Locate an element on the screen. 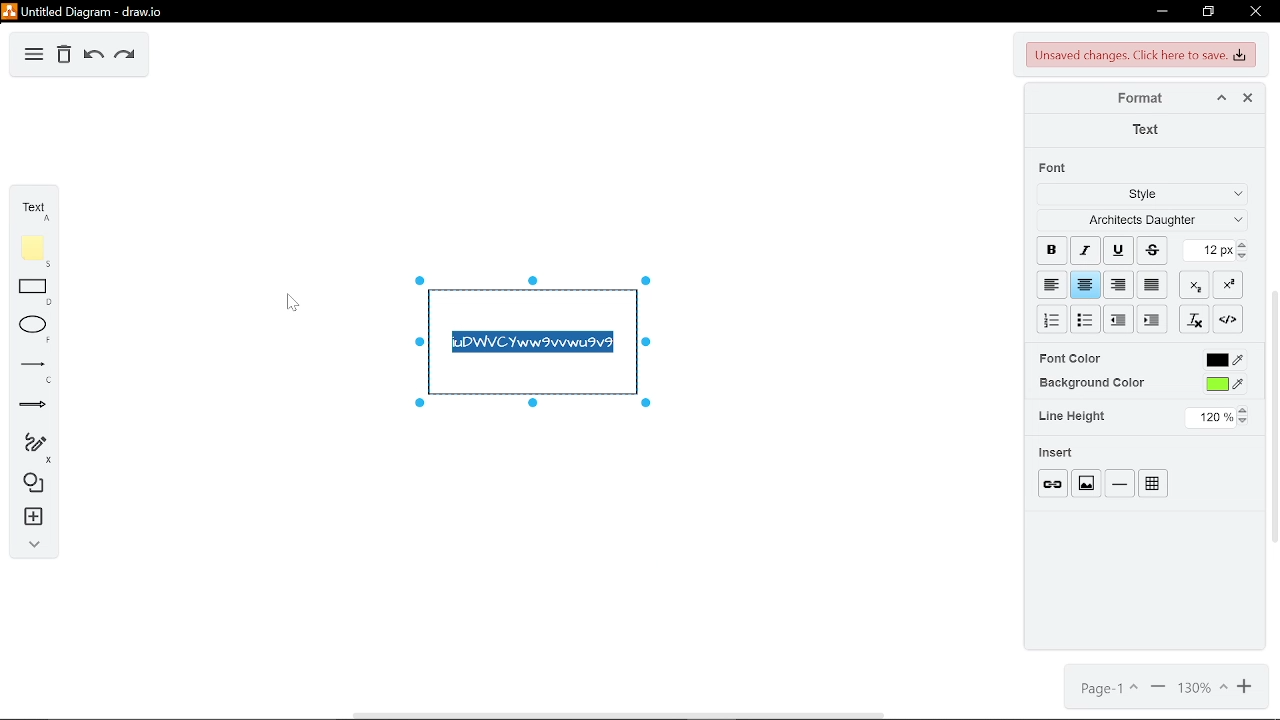  increase line height is located at coordinates (1245, 408).